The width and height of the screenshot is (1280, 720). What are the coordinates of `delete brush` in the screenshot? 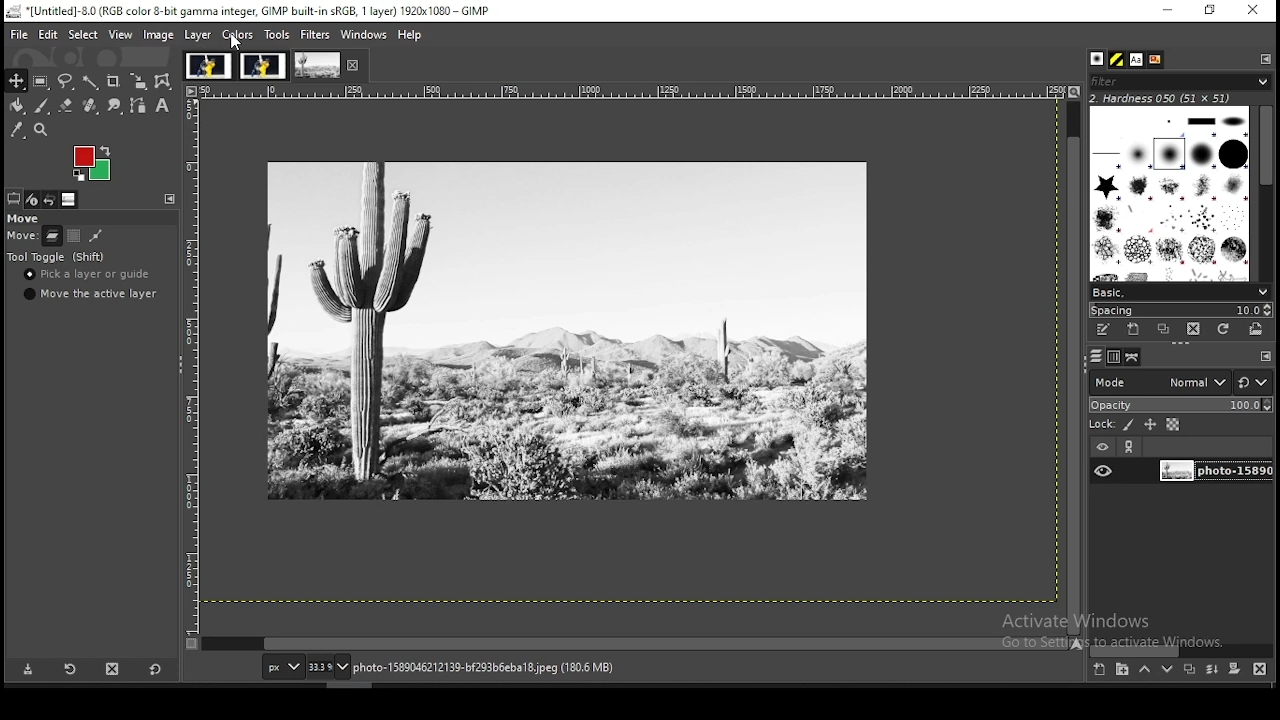 It's located at (1193, 330).